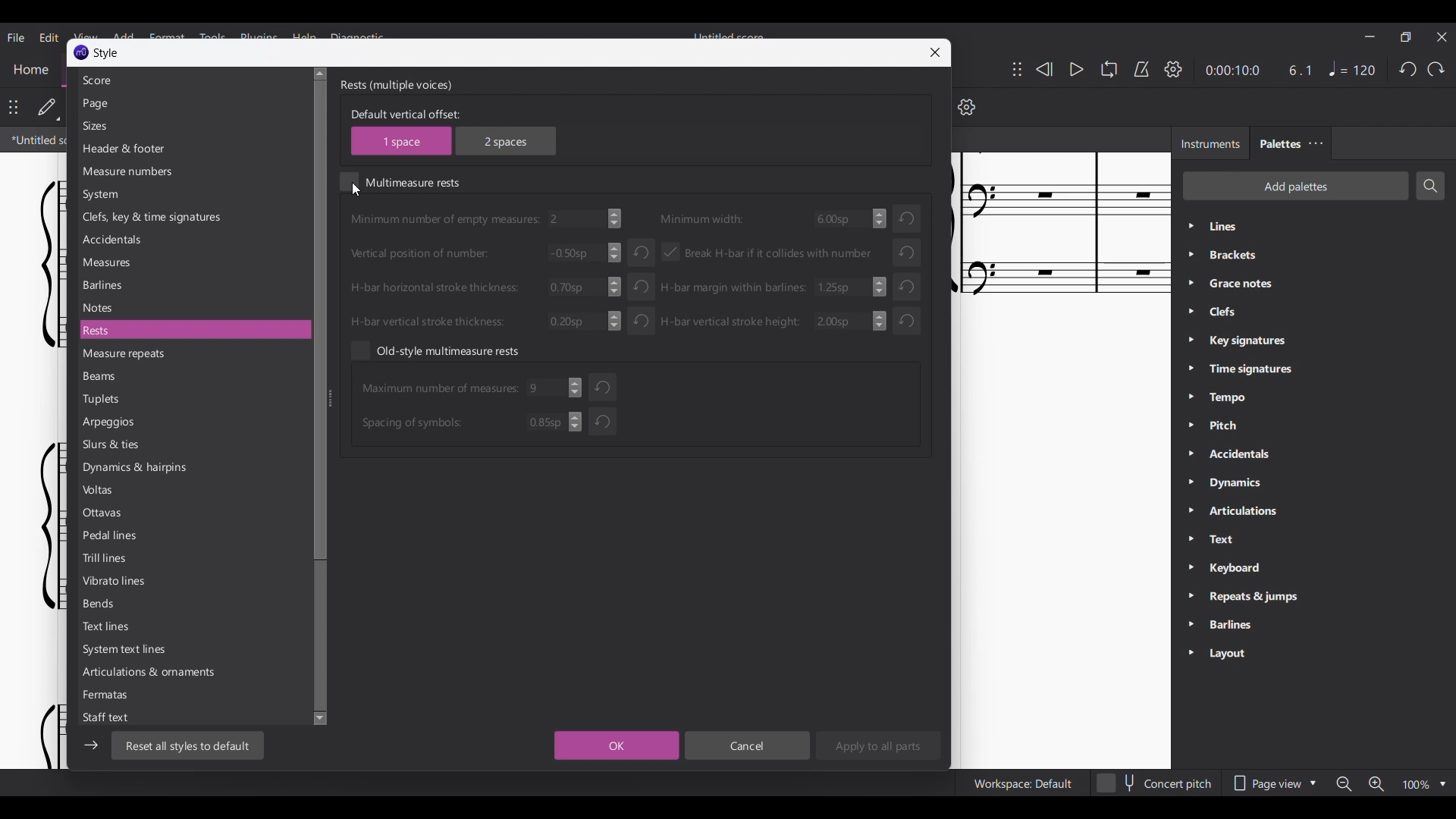 This screenshot has width=1456, height=819. What do you see at coordinates (1370, 36) in the screenshot?
I see `Minimize` at bounding box center [1370, 36].